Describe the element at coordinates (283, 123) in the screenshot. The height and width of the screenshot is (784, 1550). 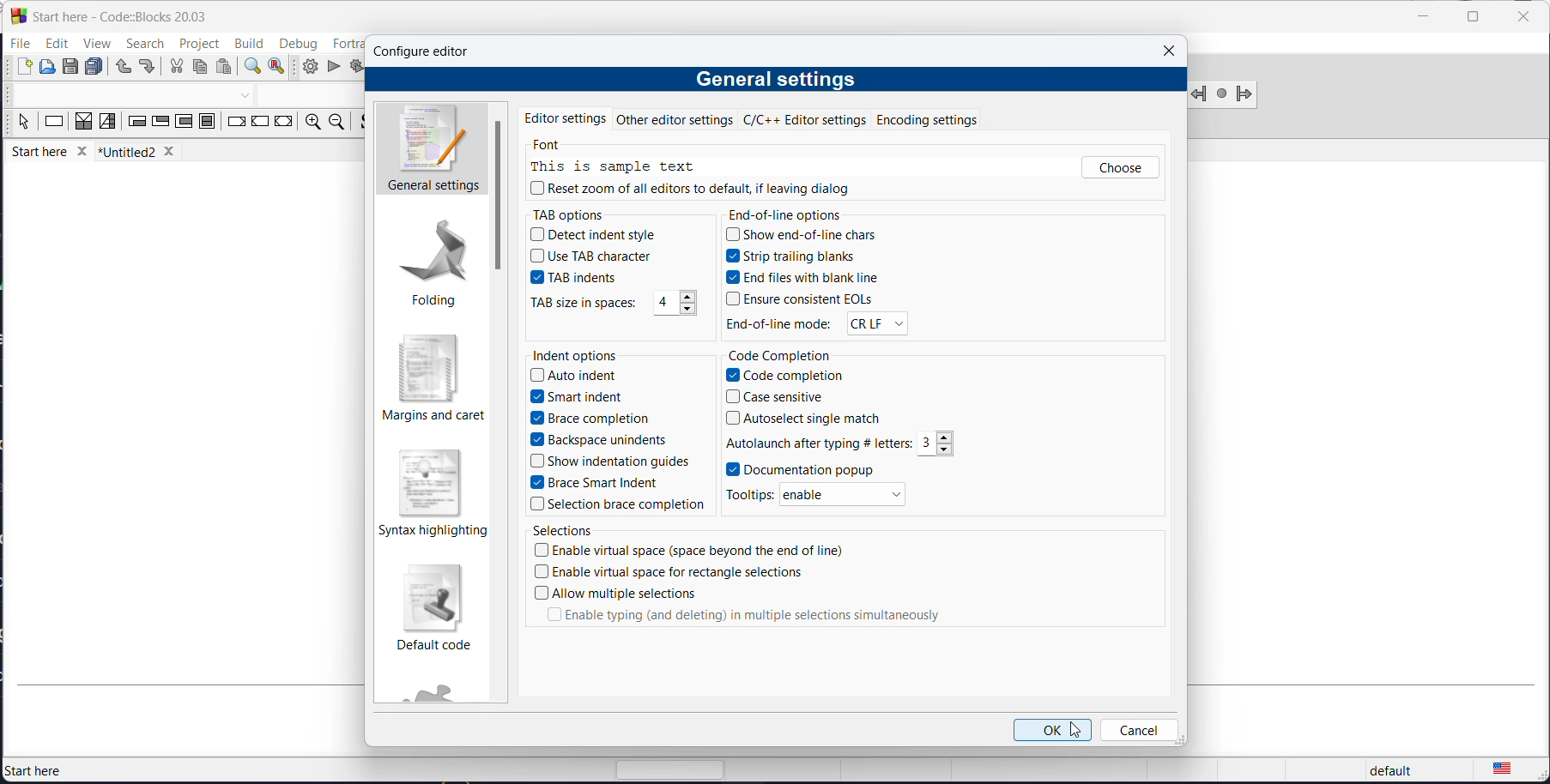
I see `return instruction` at that location.